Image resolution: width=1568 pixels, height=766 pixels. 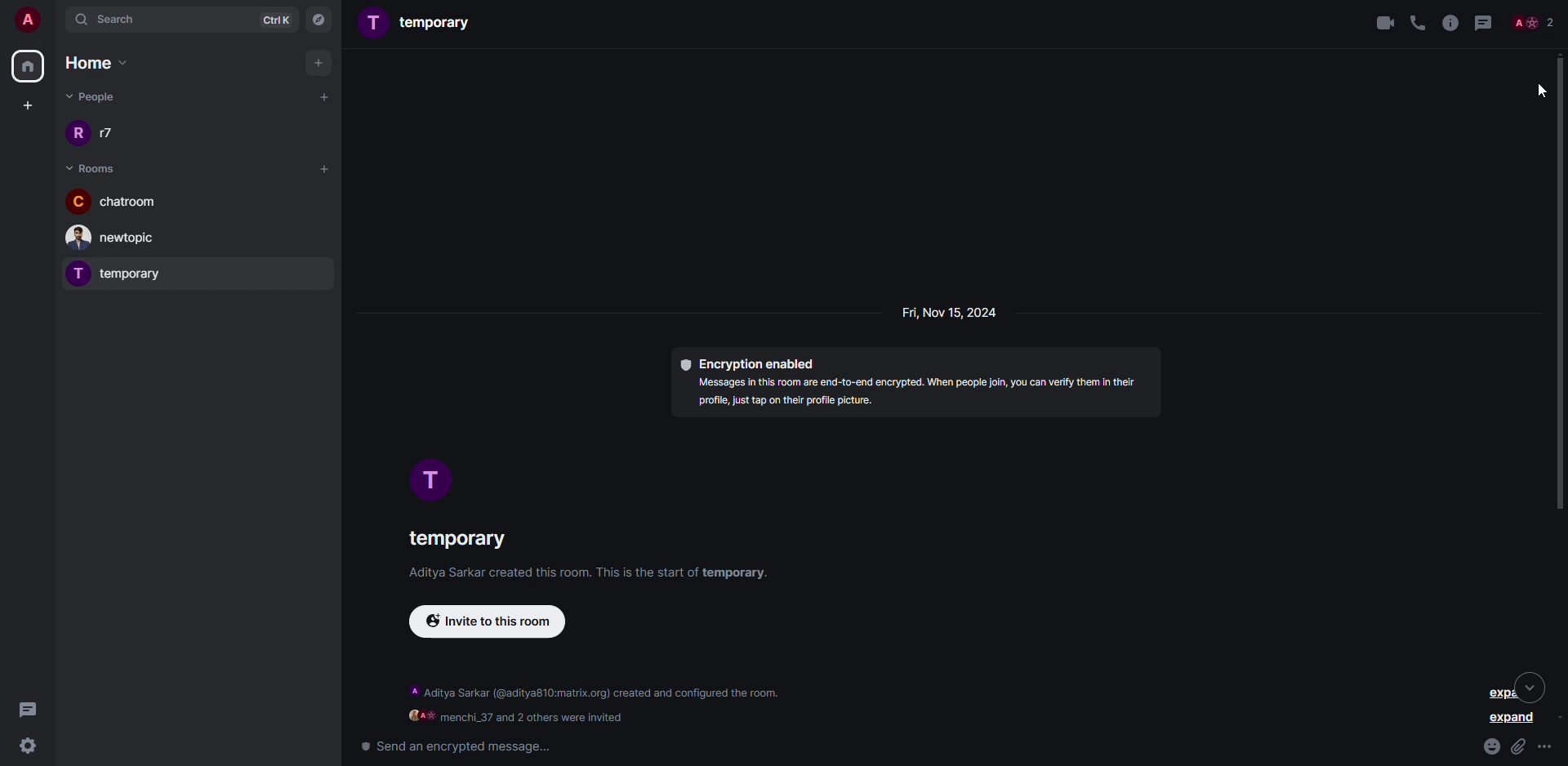 I want to click on threads, so click(x=1485, y=22).